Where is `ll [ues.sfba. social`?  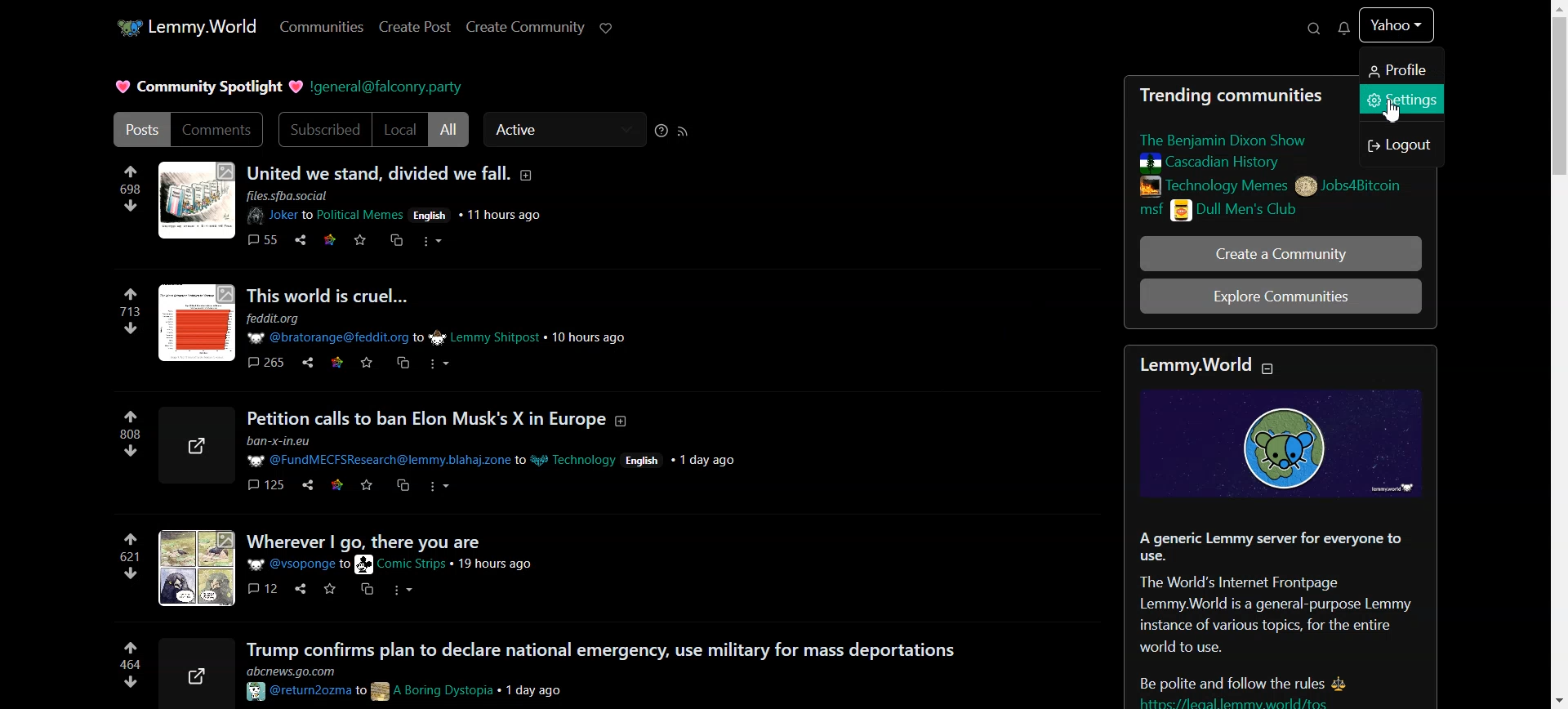
ll [ues.sfba. social is located at coordinates (290, 195).